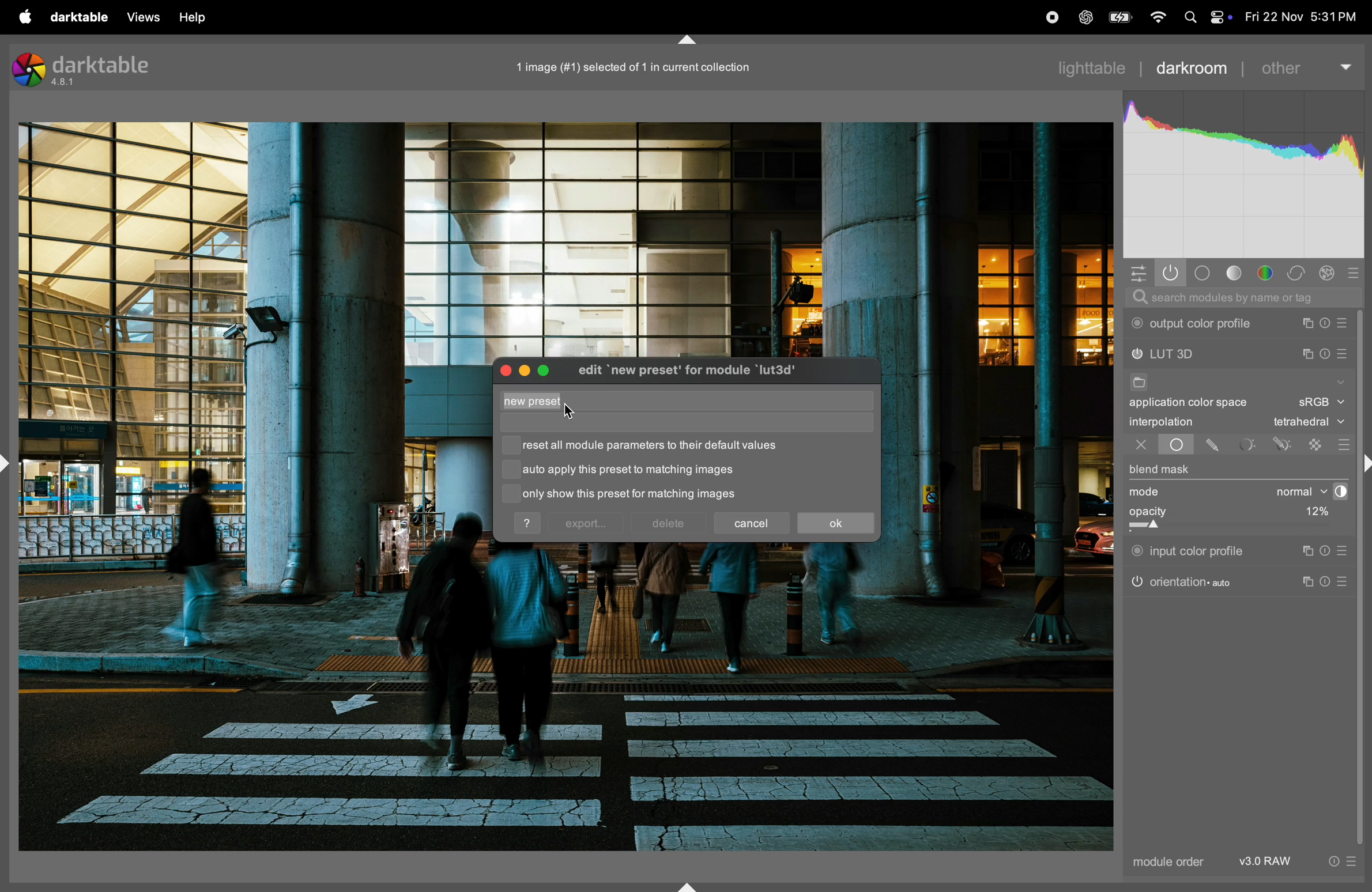 The image size is (1372, 892). Describe the element at coordinates (1242, 298) in the screenshot. I see `searchbar` at that location.